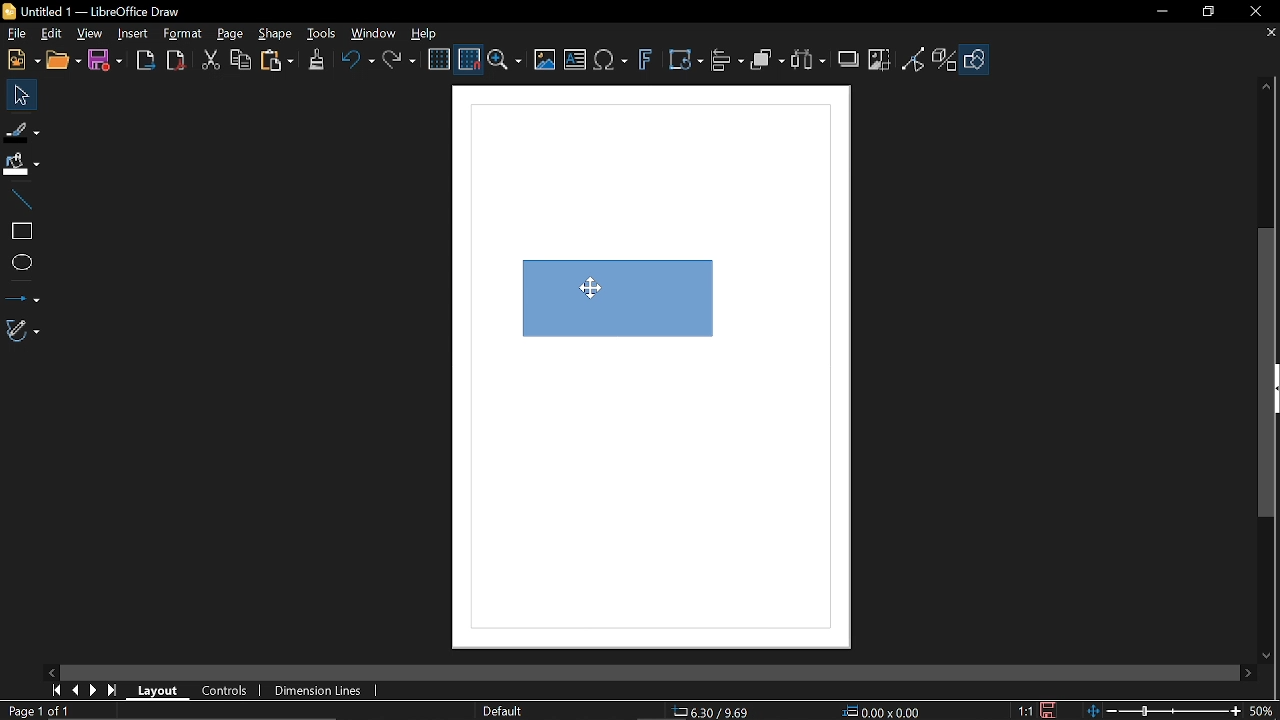  Describe the element at coordinates (1206, 13) in the screenshot. I see `restore down` at that location.